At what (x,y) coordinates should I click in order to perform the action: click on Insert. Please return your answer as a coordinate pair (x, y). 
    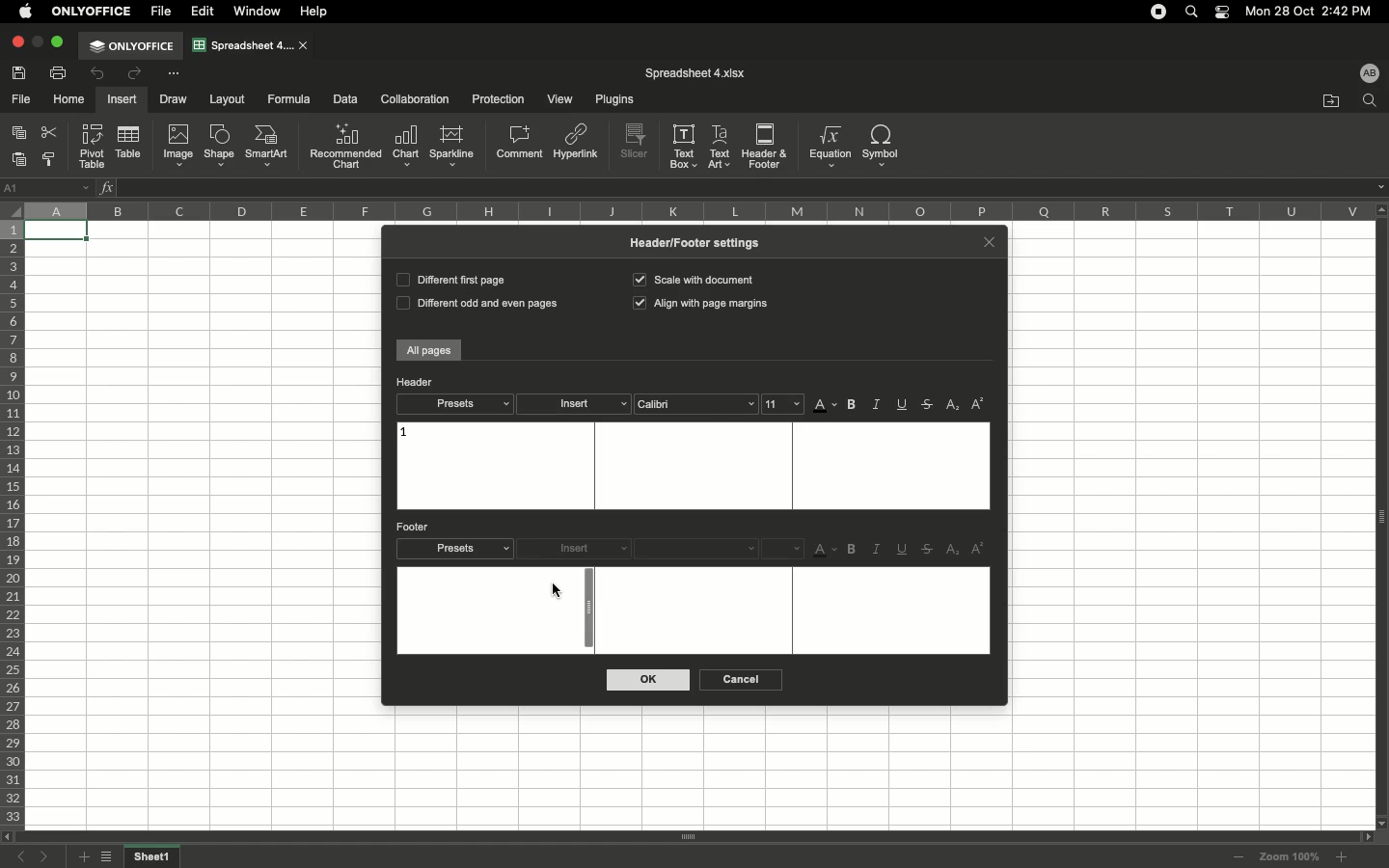
    Looking at the image, I should click on (575, 405).